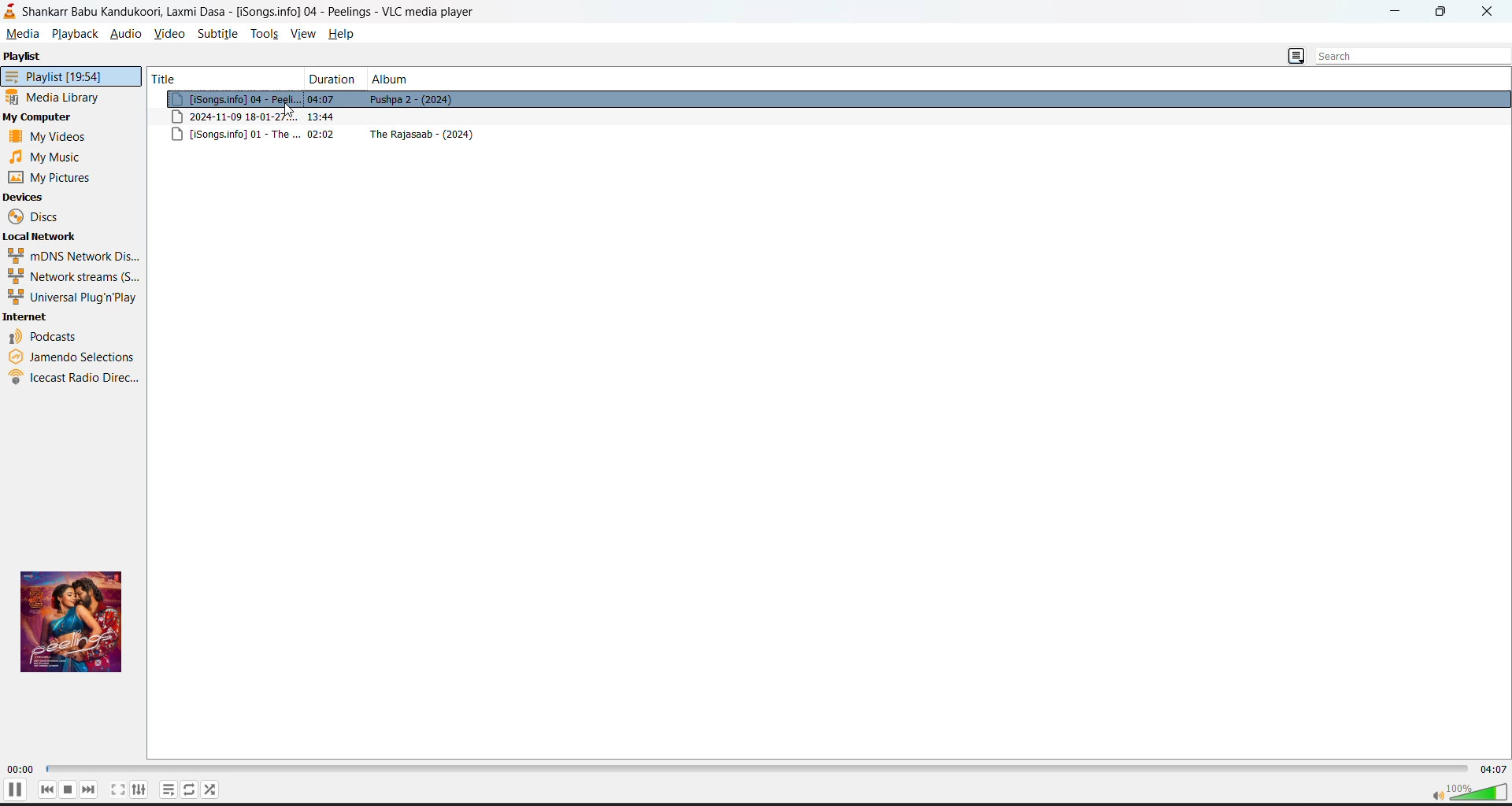 Image resolution: width=1512 pixels, height=806 pixels. Describe the element at coordinates (831, 116) in the screenshot. I see `metadata` at that location.